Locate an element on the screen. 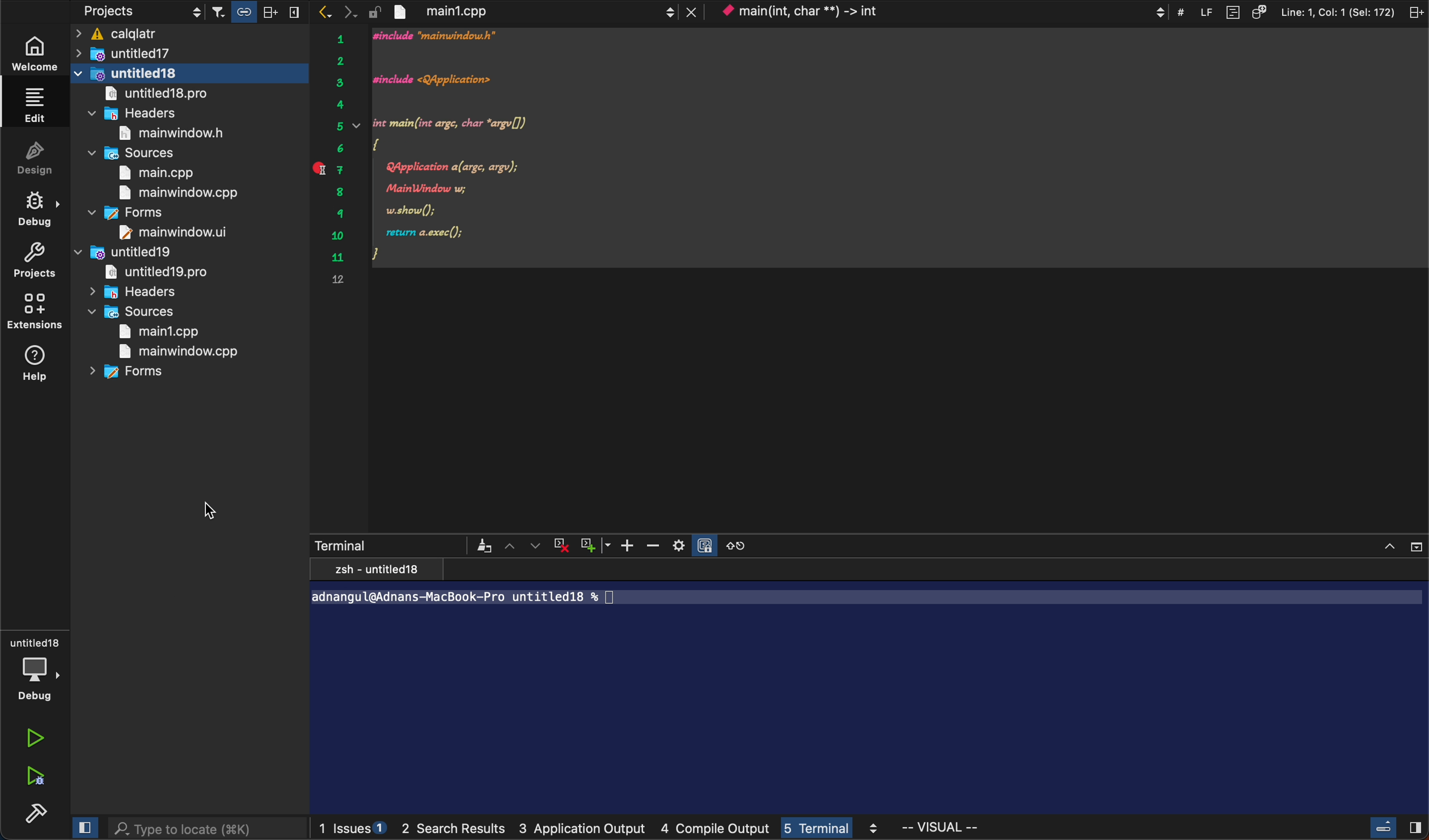  zoom out is located at coordinates (652, 544).